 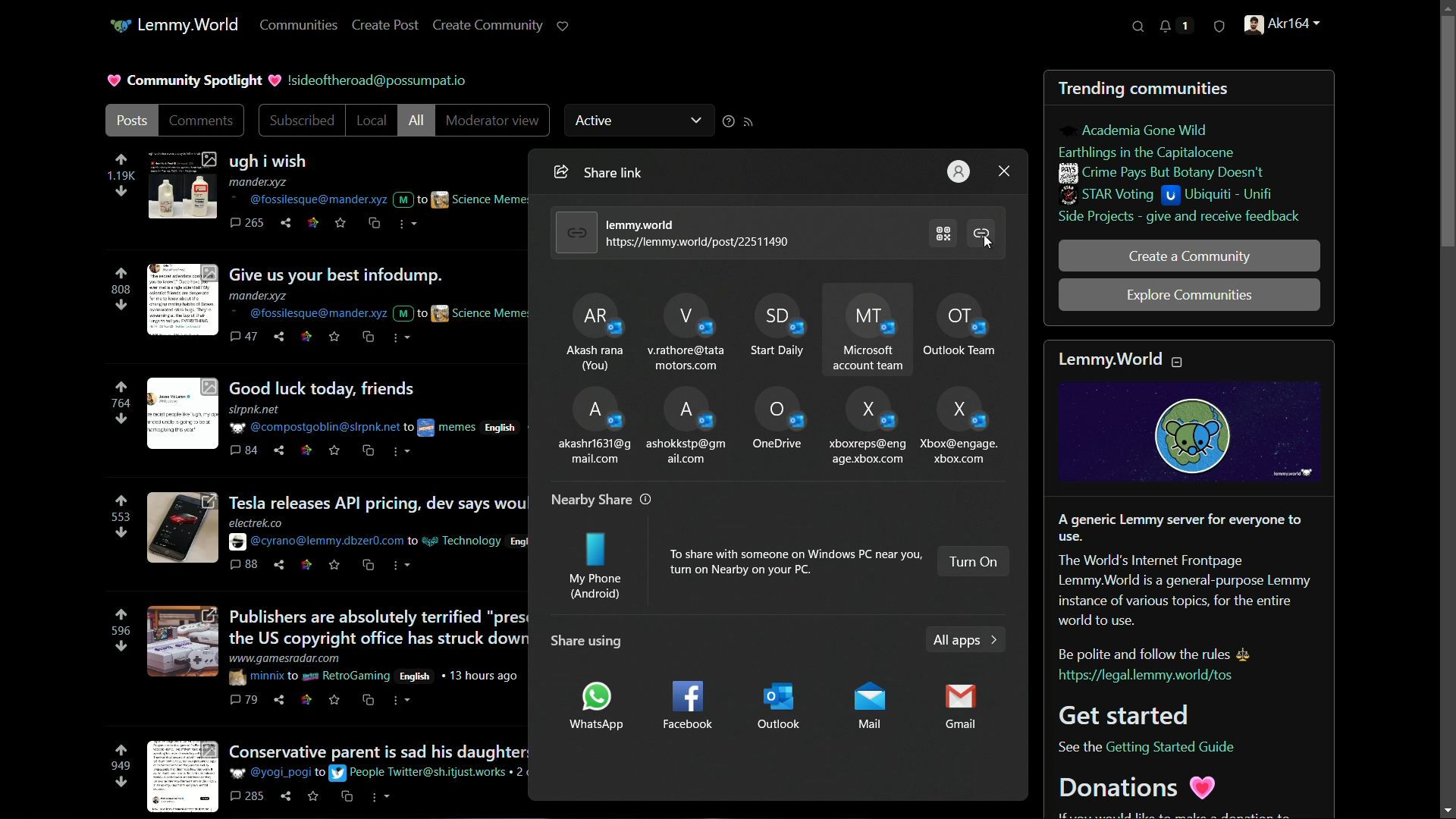 What do you see at coordinates (777, 422) in the screenshot?
I see `onedrive` at bounding box center [777, 422].